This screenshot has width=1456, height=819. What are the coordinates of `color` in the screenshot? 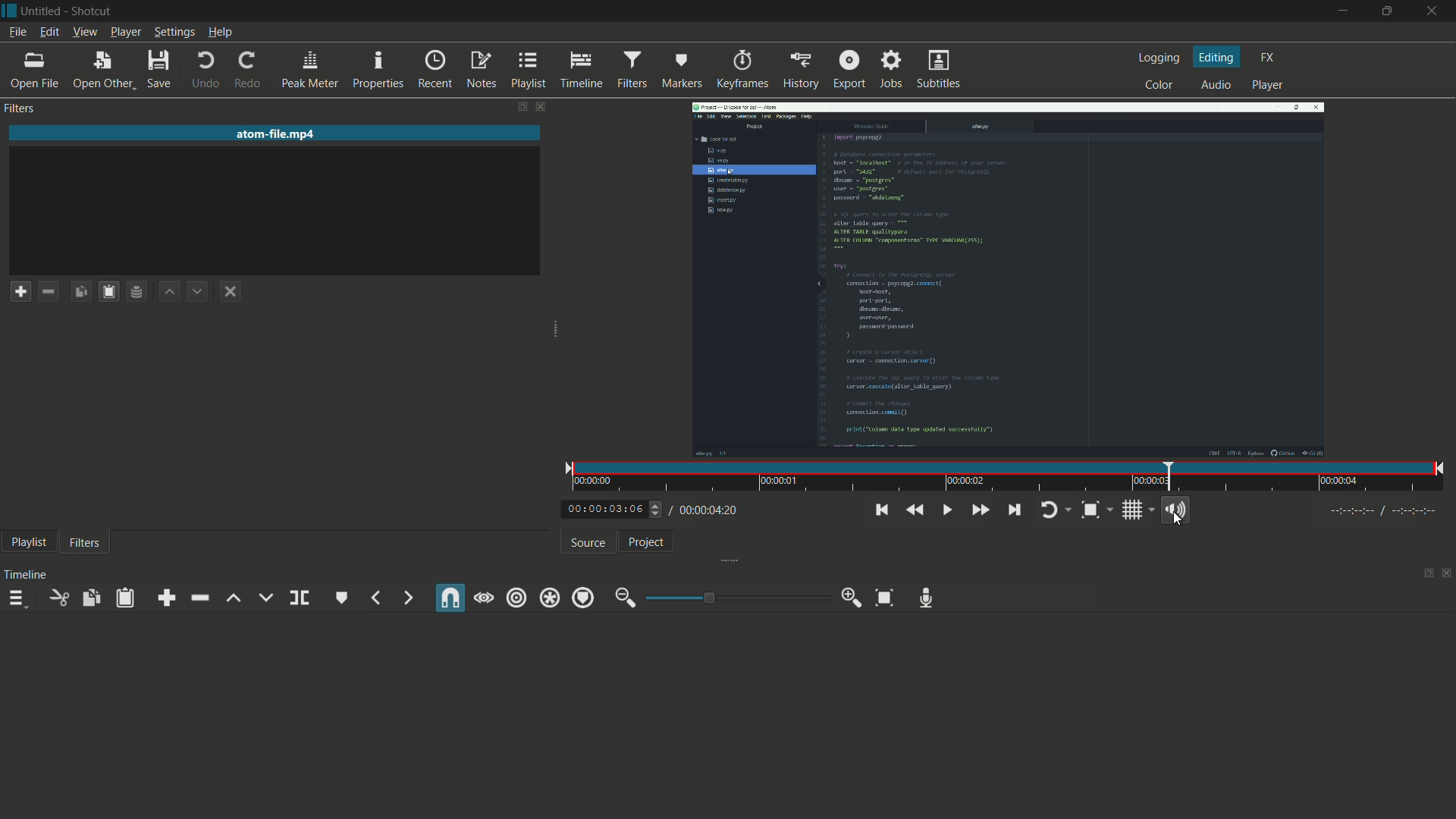 It's located at (1158, 85).